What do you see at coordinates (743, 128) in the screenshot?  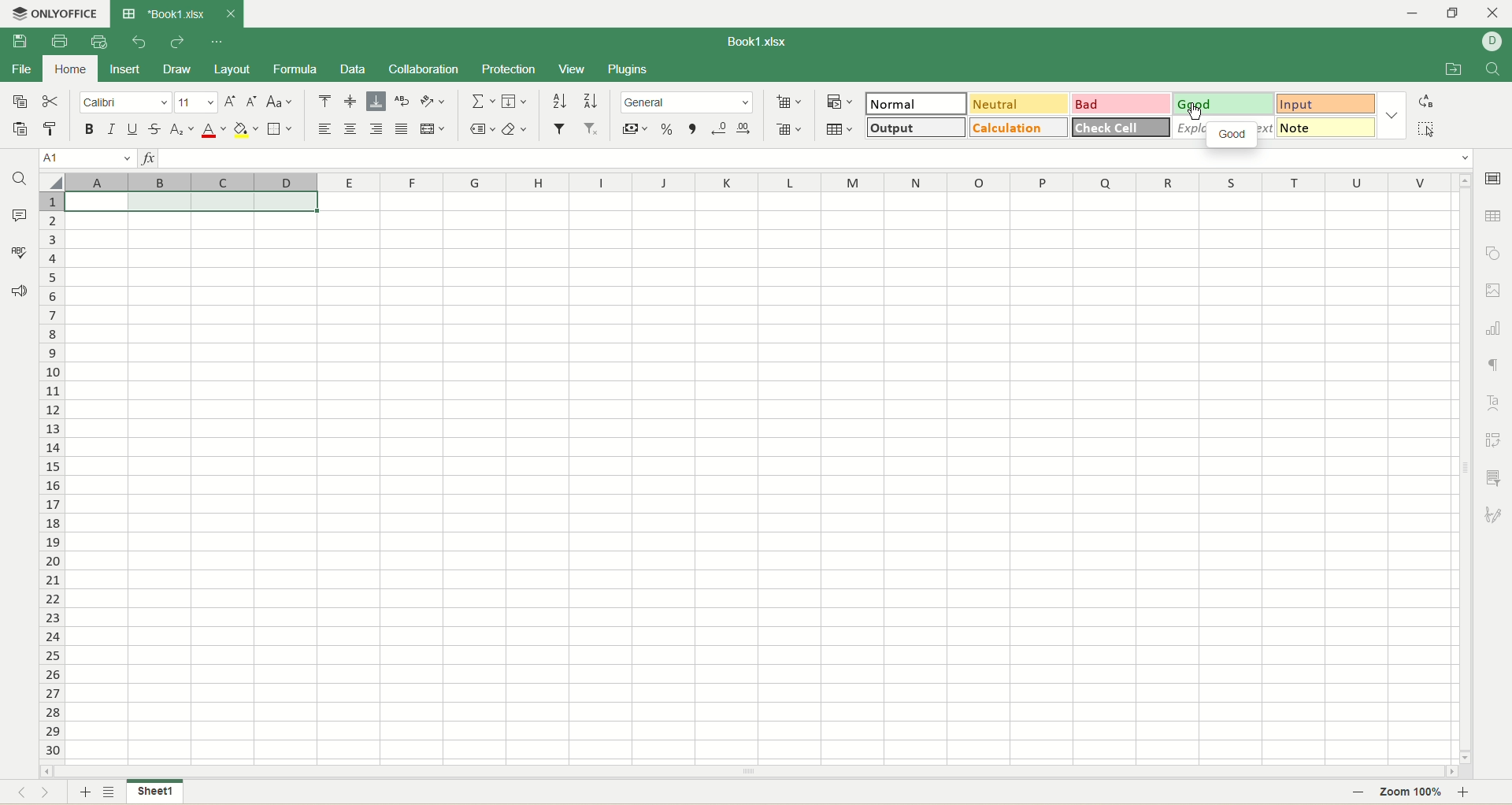 I see `increase decimal` at bounding box center [743, 128].